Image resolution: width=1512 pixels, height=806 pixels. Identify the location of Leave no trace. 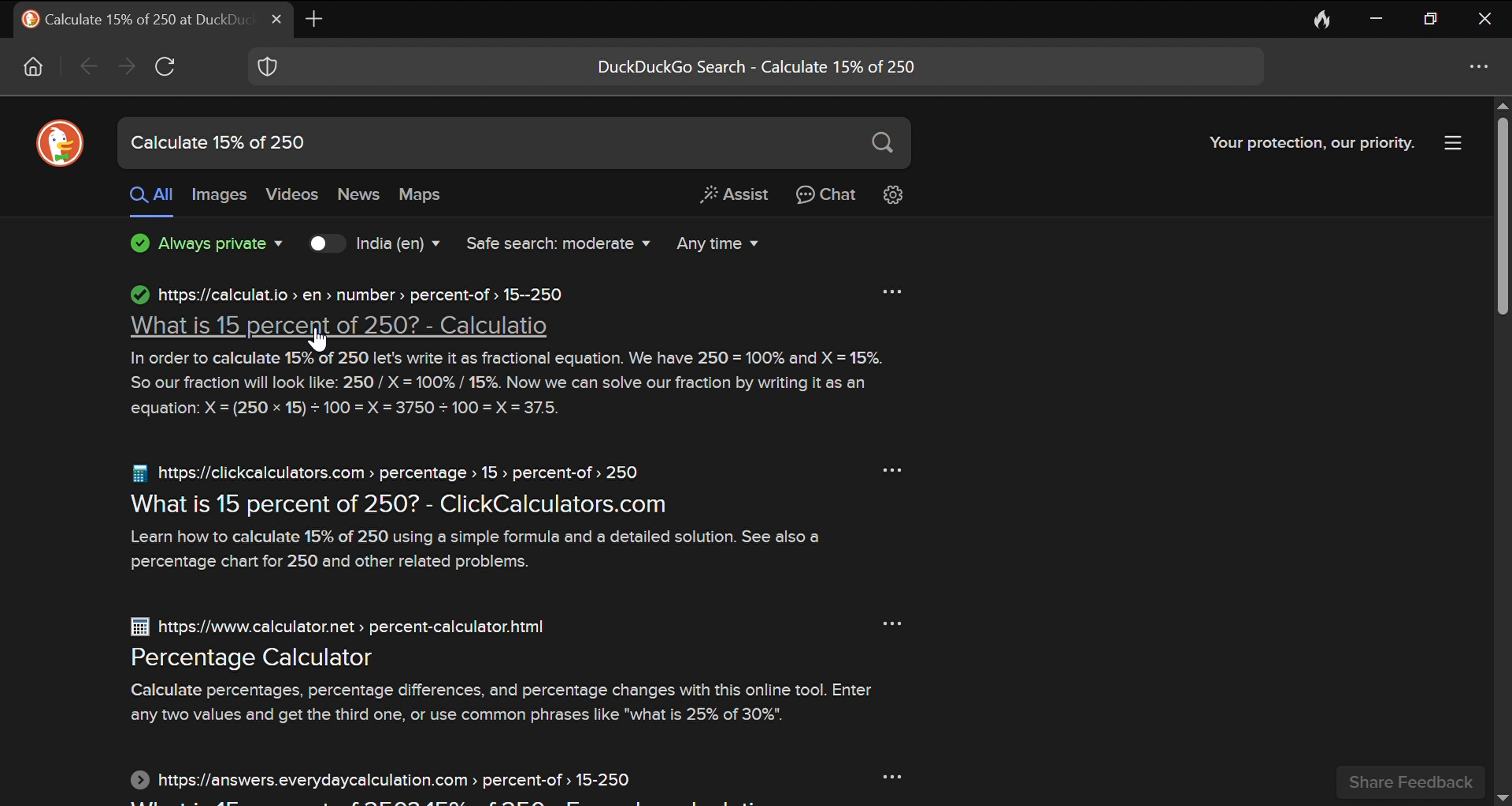
(1324, 18).